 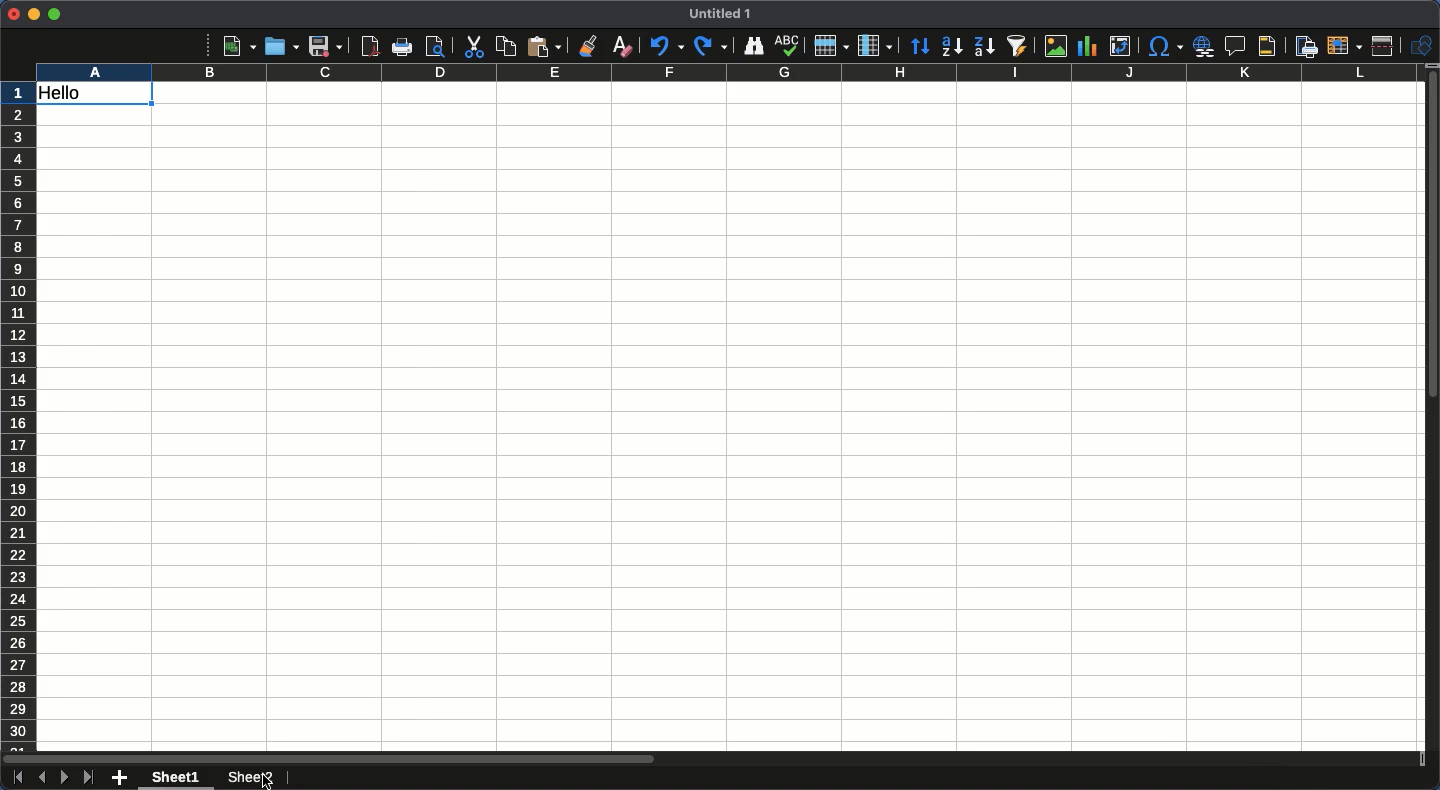 What do you see at coordinates (1164, 46) in the screenshot?
I see `Special characters` at bounding box center [1164, 46].